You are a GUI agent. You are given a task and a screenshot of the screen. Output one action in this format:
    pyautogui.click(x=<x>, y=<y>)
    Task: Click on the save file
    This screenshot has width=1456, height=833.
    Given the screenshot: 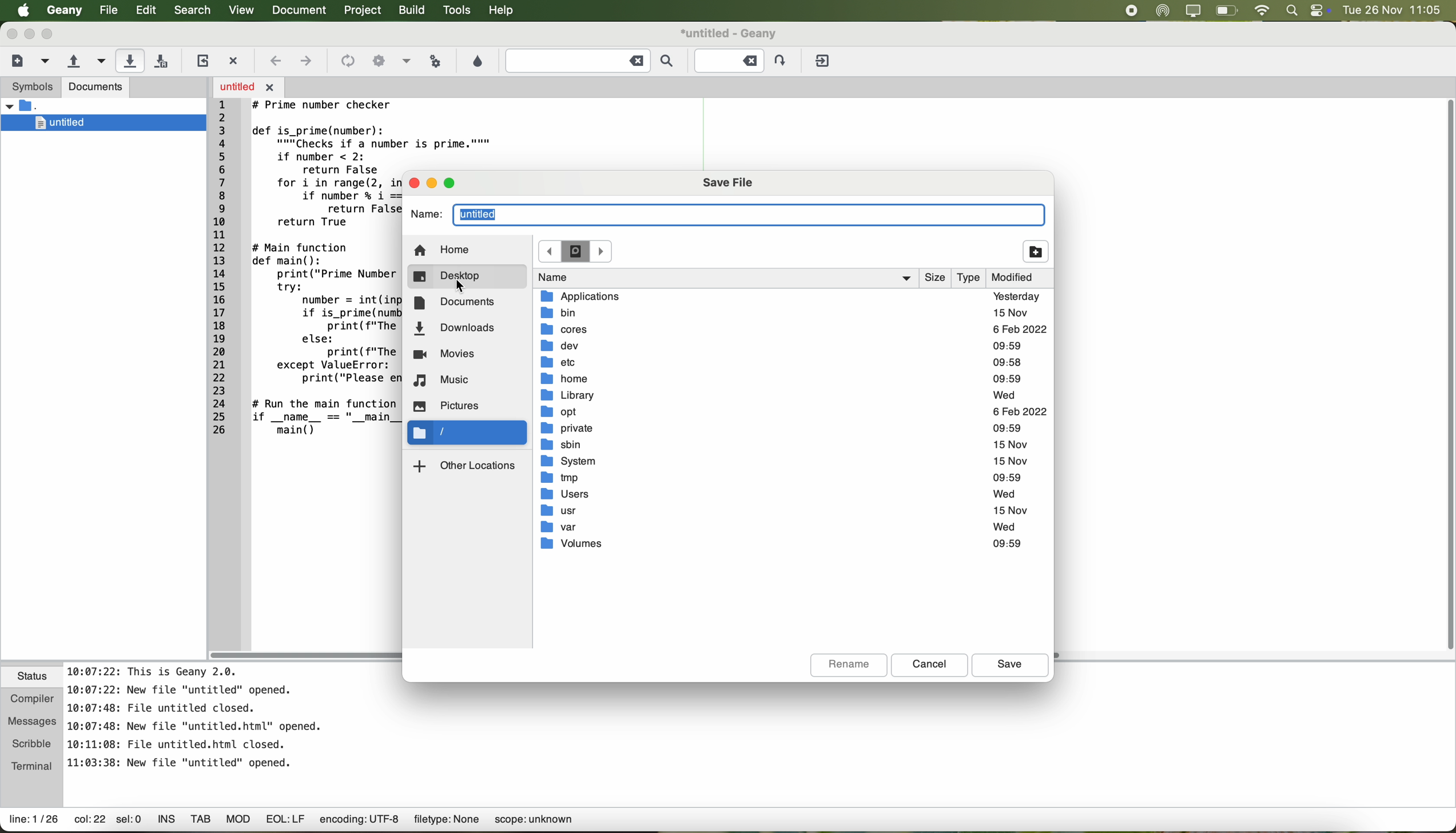 What is the action you would take?
    pyautogui.click(x=727, y=183)
    